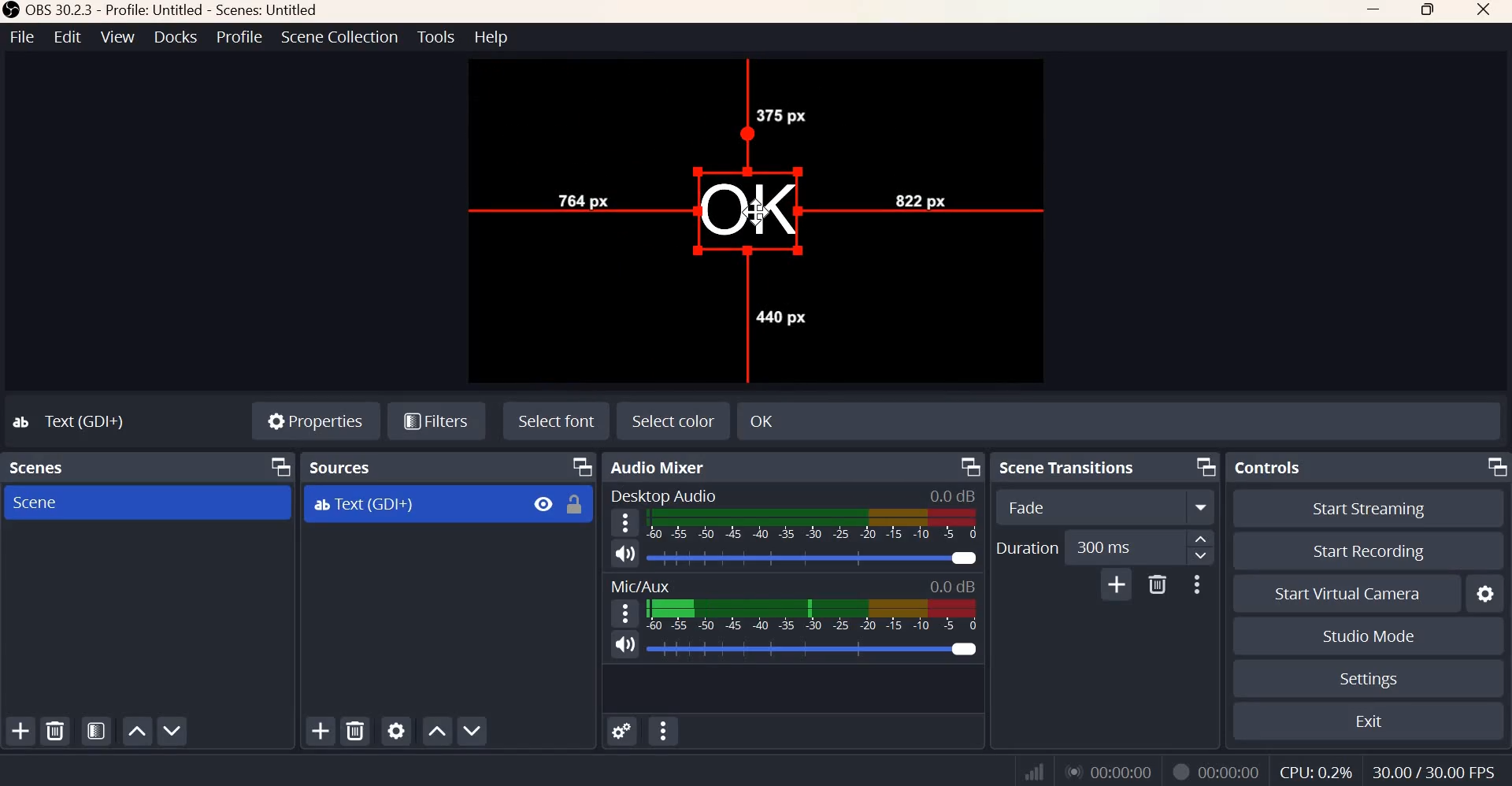 The image size is (1512, 786). Describe the element at coordinates (582, 198) in the screenshot. I see `764 px` at that location.